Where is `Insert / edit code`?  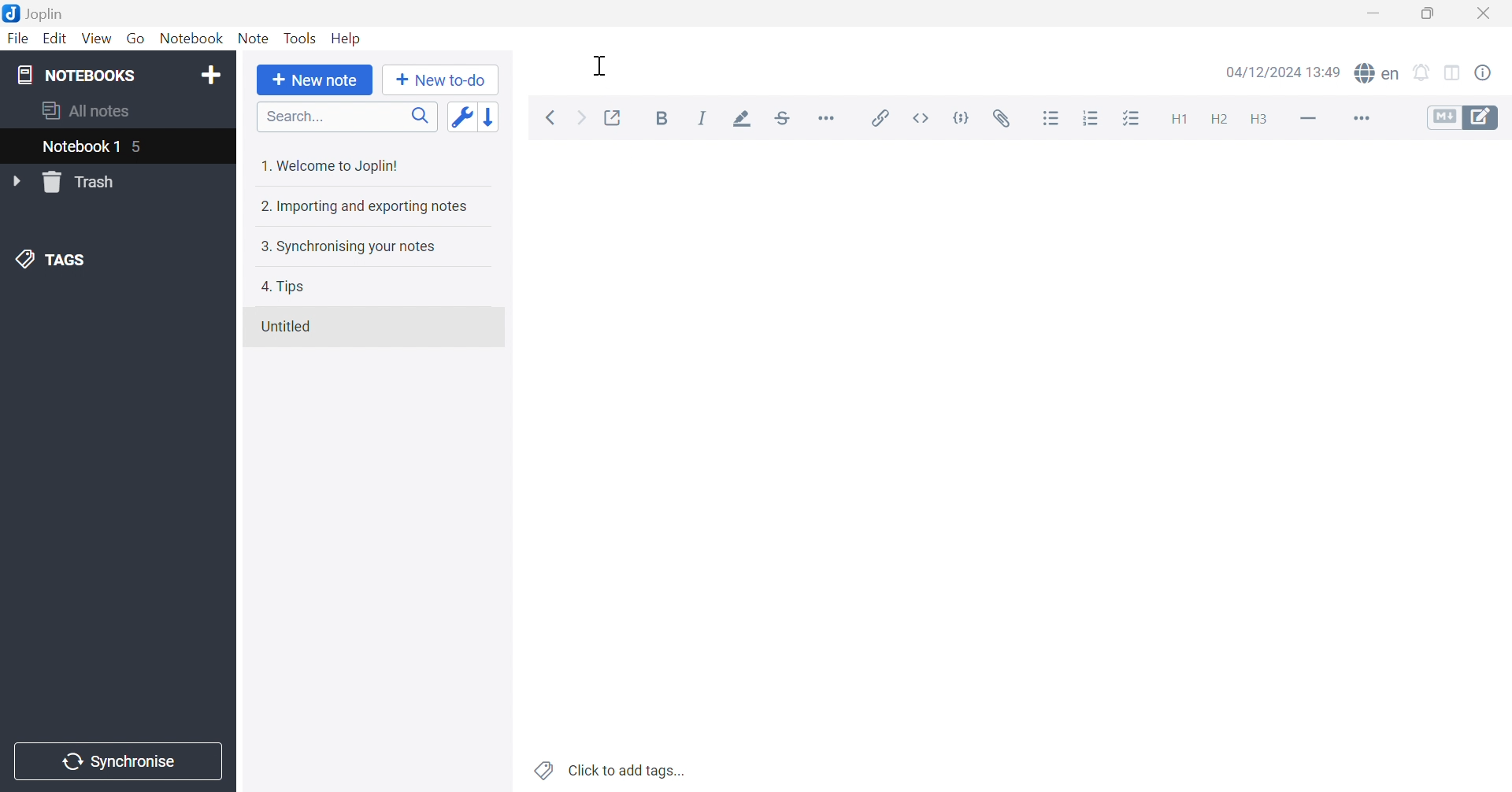 Insert / edit code is located at coordinates (881, 114).